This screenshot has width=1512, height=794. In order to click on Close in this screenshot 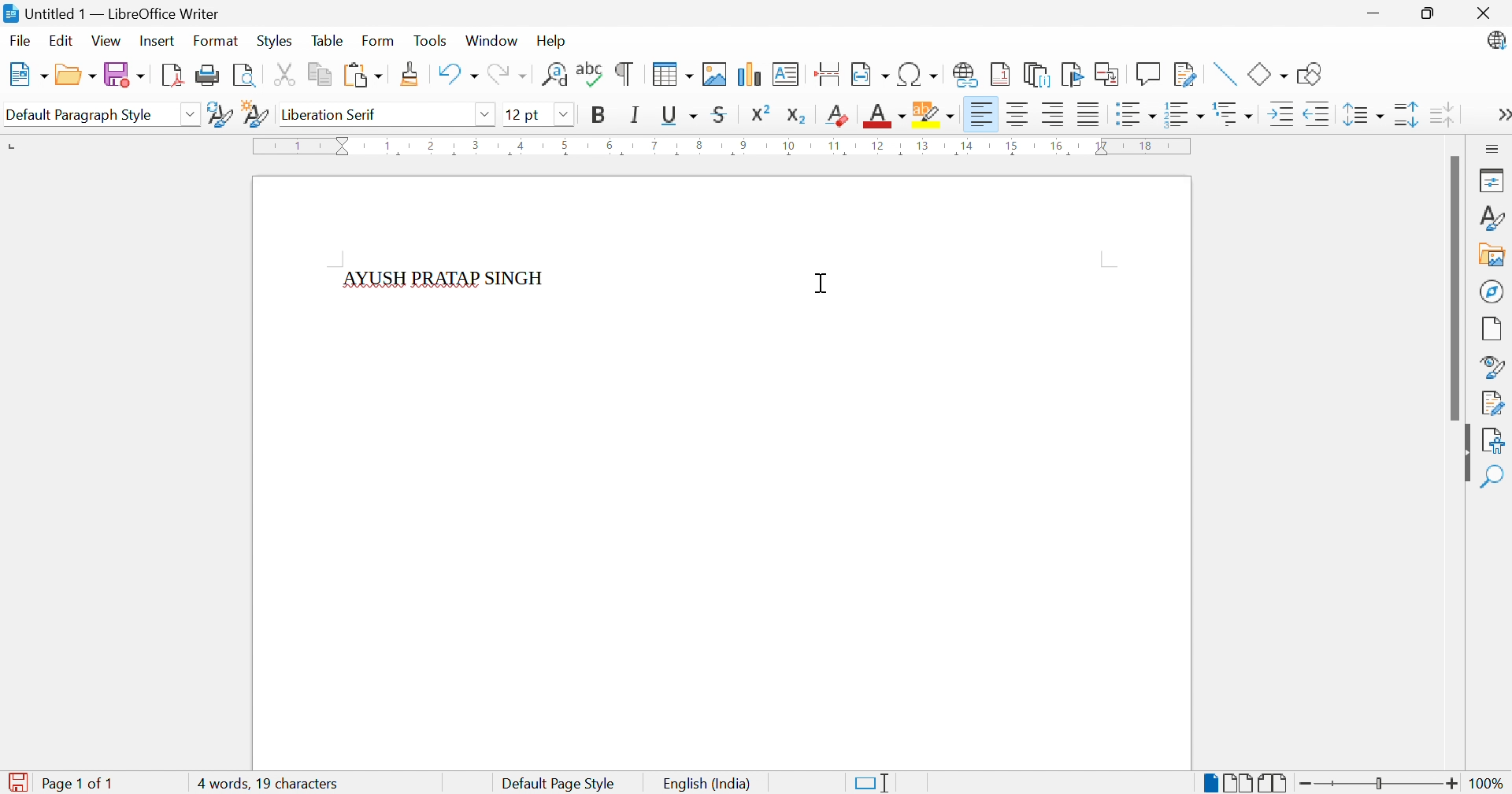, I will do `click(1483, 13)`.